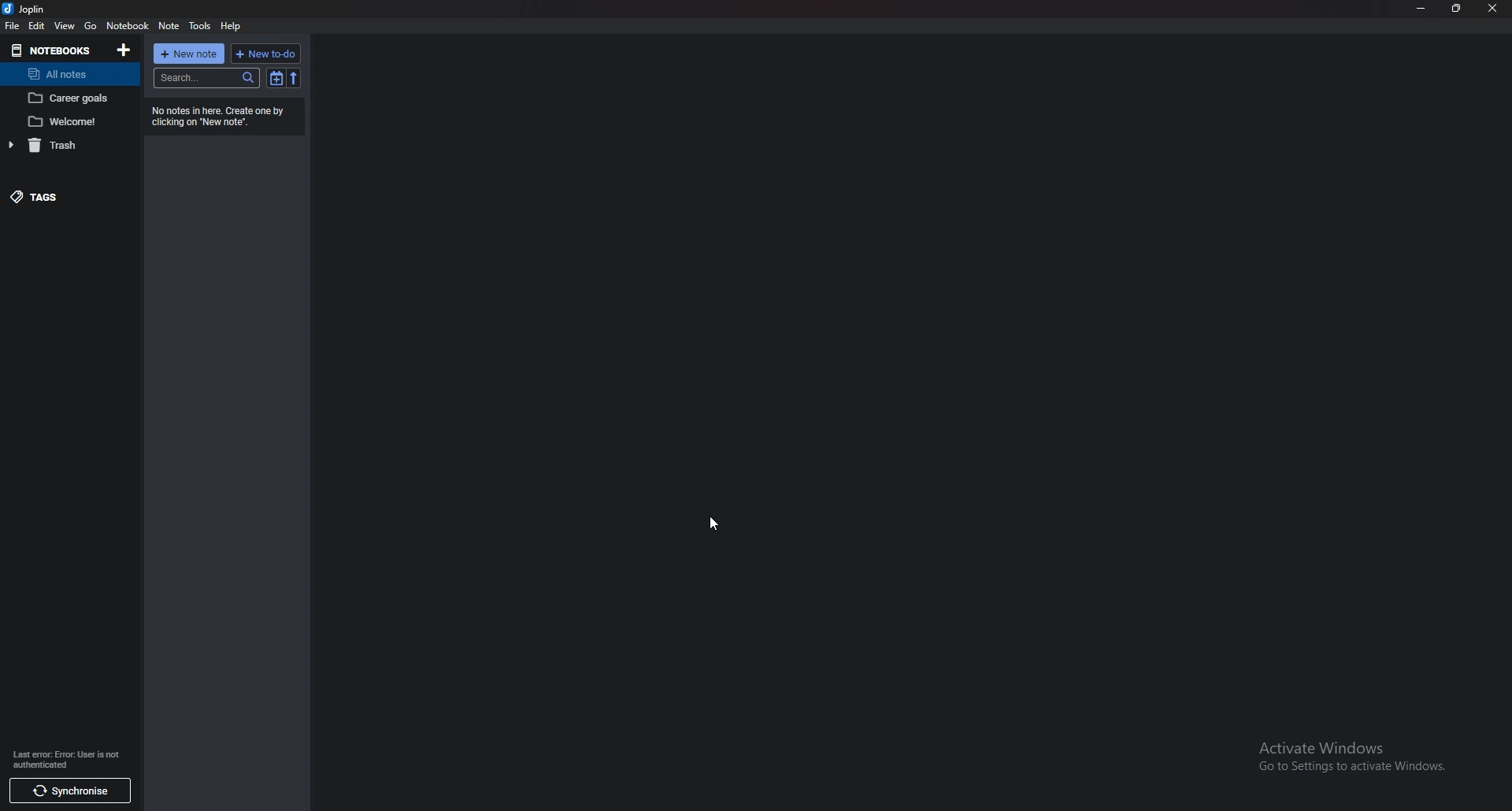 Image resolution: width=1512 pixels, height=811 pixels. Describe the element at coordinates (220, 116) in the screenshot. I see `info` at that location.